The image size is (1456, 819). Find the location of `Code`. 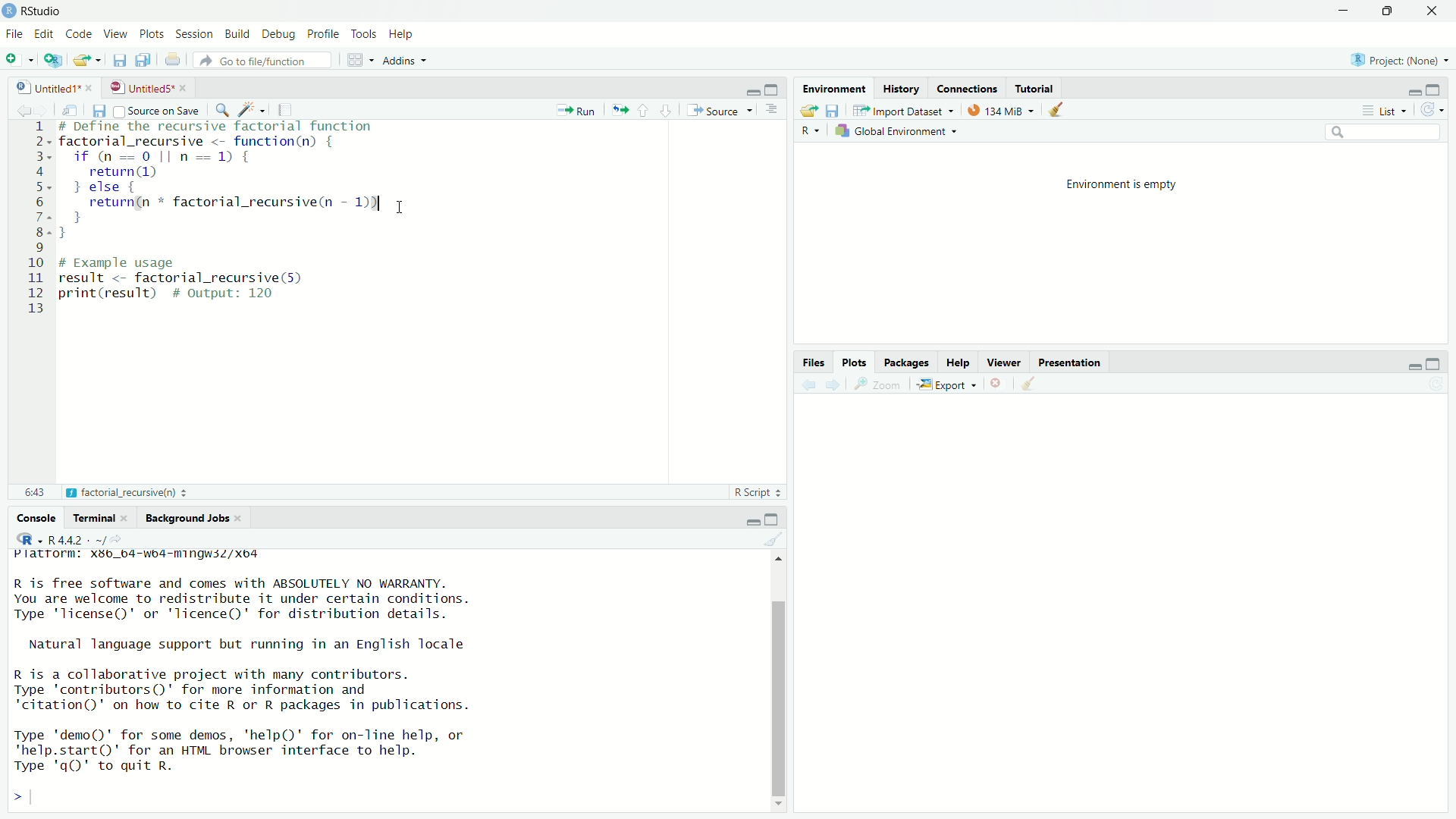

Code is located at coordinates (79, 33).